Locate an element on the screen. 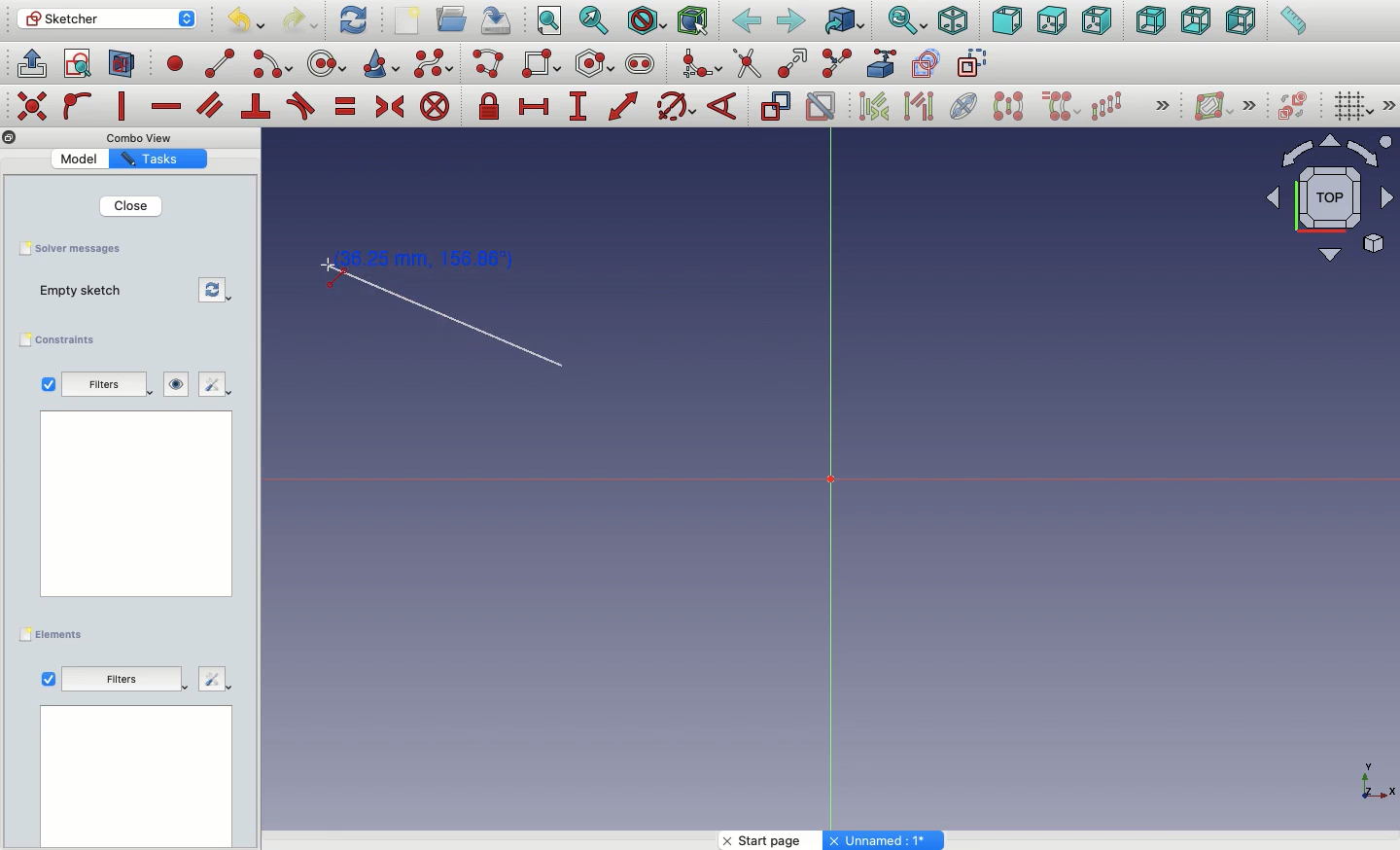  Empty sketch is located at coordinates (86, 290).